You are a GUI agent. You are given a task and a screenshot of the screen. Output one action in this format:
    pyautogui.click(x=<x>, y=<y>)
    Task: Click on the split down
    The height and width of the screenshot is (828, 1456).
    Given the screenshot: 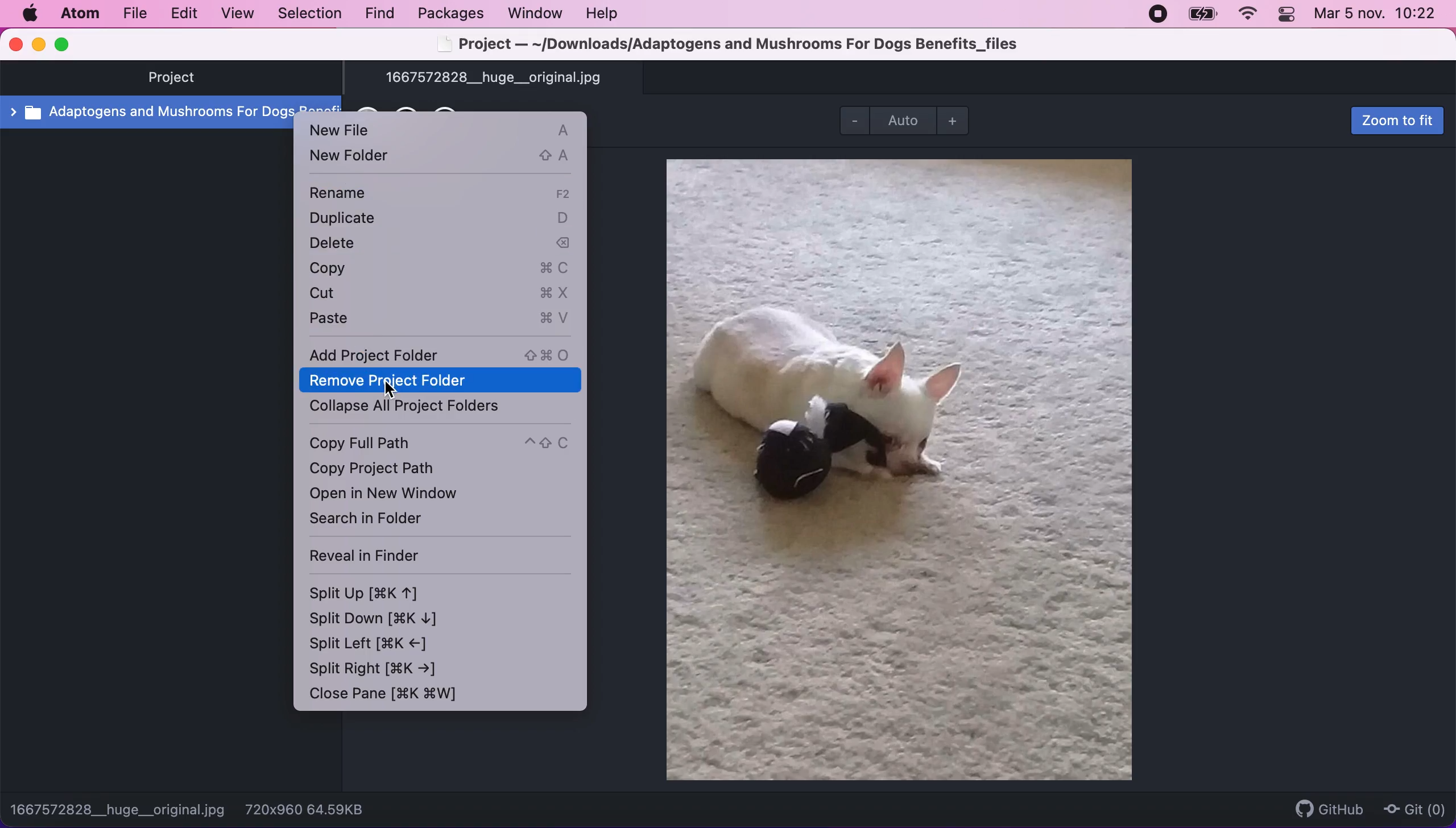 What is the action you would take?
    pyautogui.click(x=379, y=619)
    